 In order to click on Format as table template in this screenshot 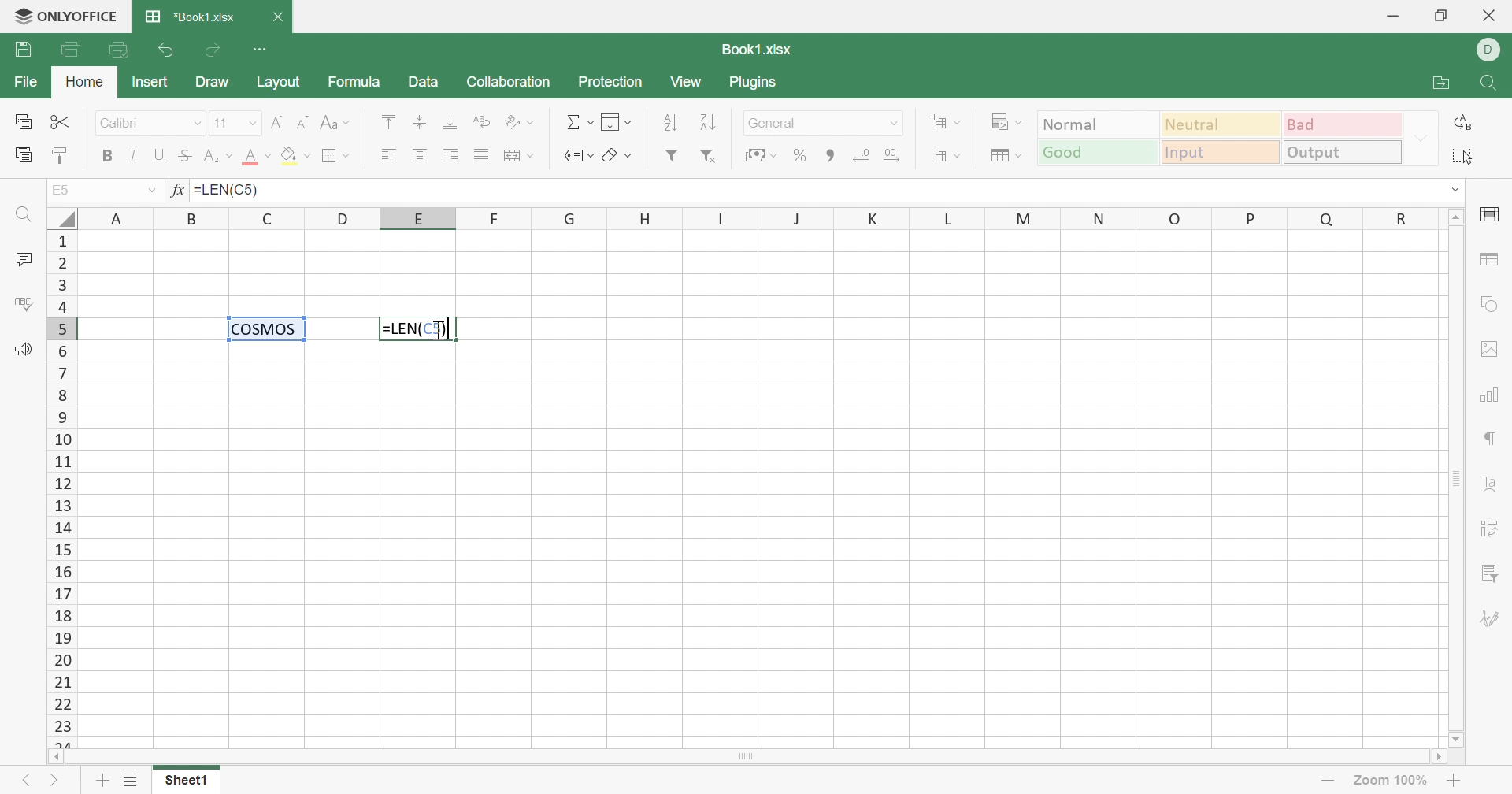, I will do `click(1007, 157)`.